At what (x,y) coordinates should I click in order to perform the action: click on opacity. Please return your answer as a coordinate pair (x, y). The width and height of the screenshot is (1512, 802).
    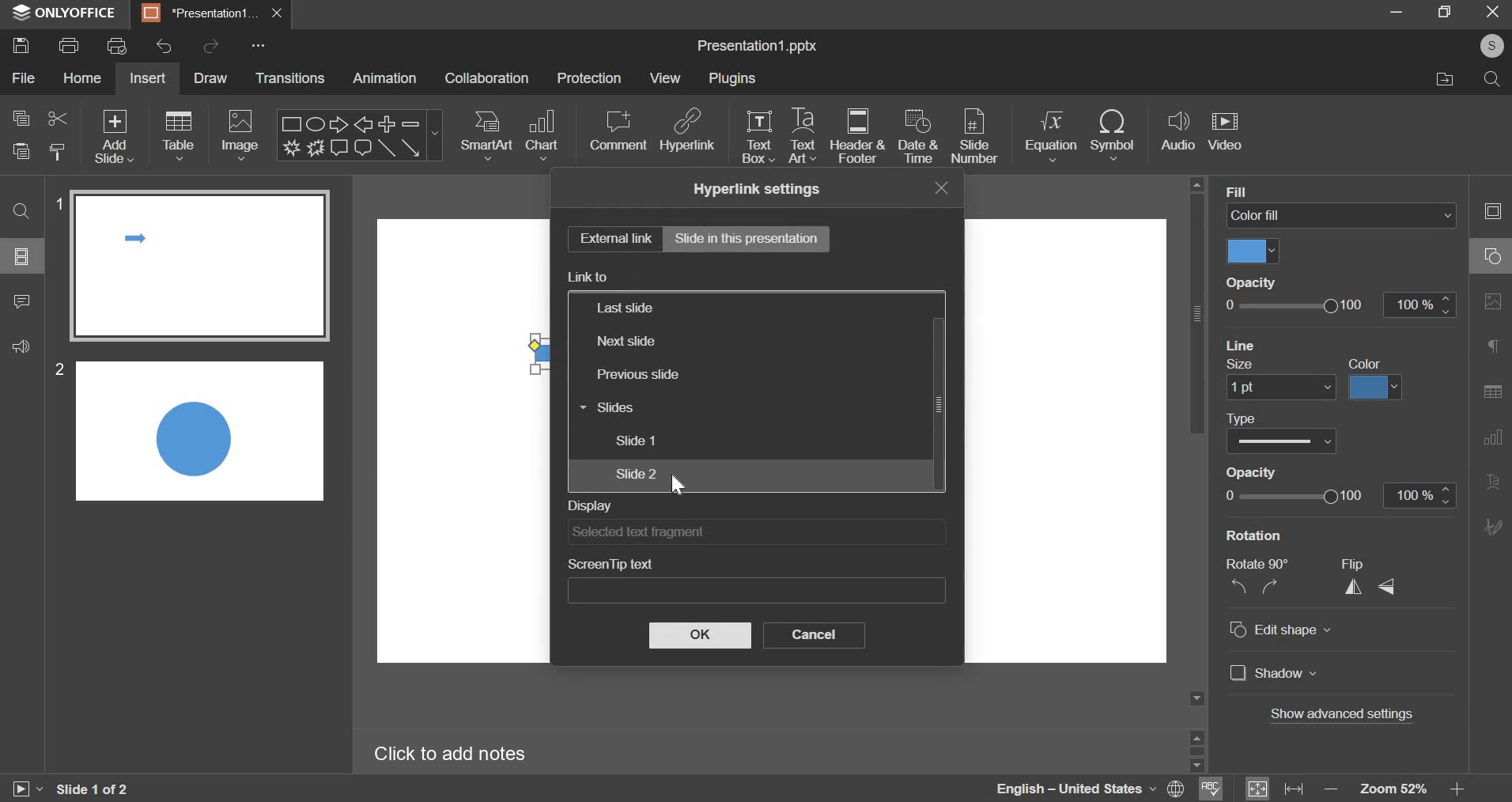
    Looking at the image, I should click on (1258, 282).